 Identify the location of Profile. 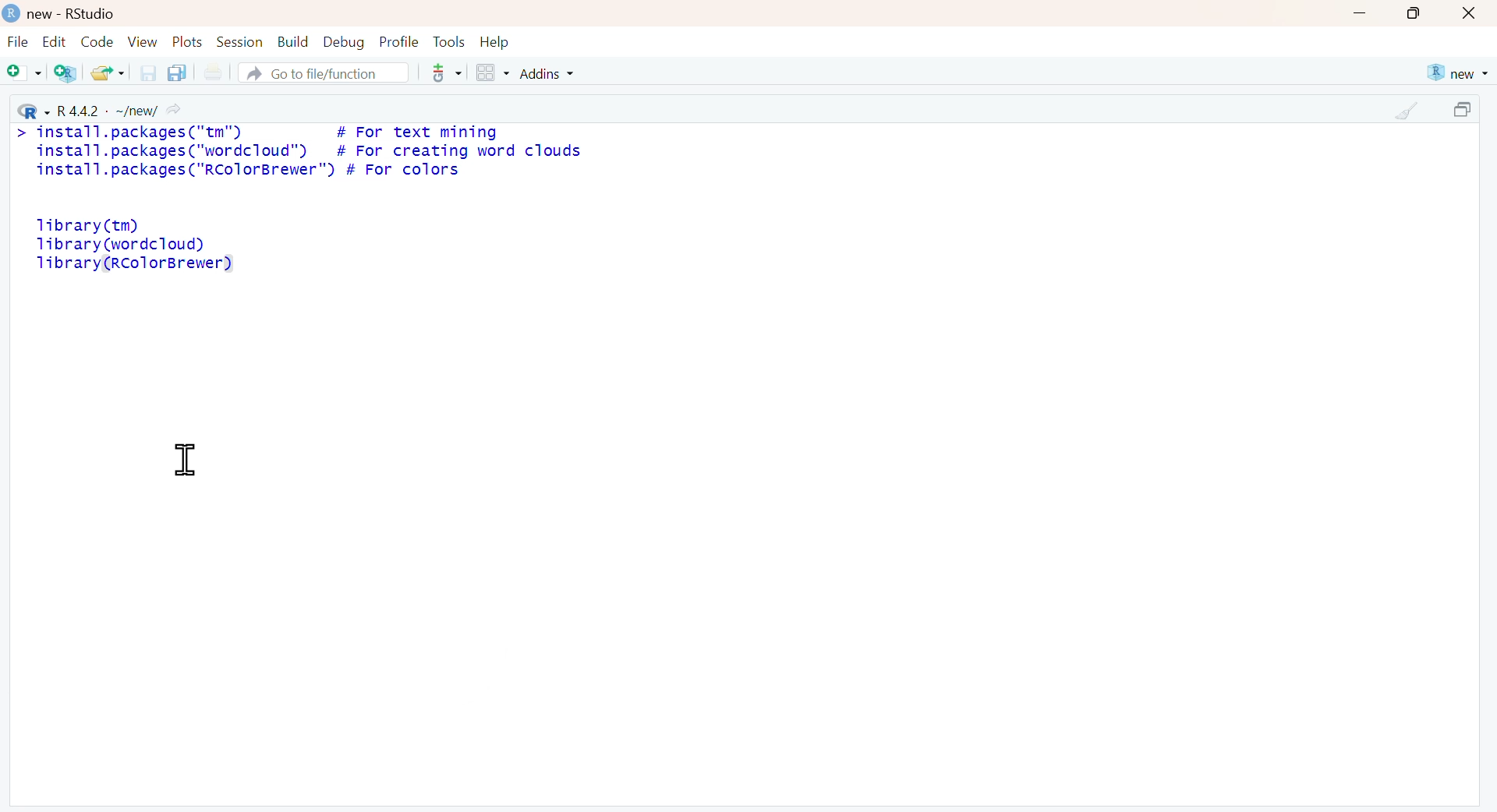
(401, 42).